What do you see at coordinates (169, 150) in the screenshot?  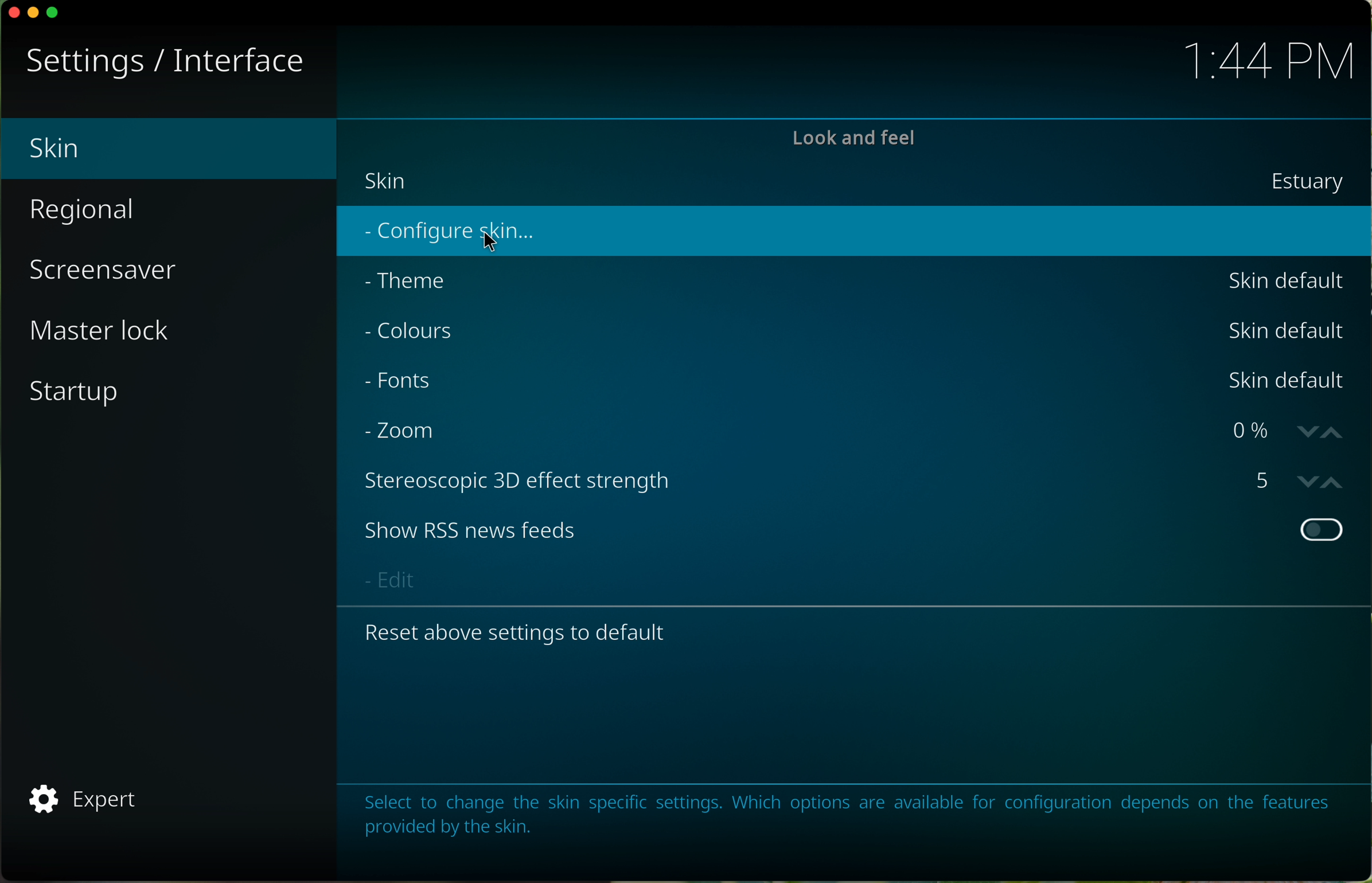 I see `skin` at bounding box center [169, 150].